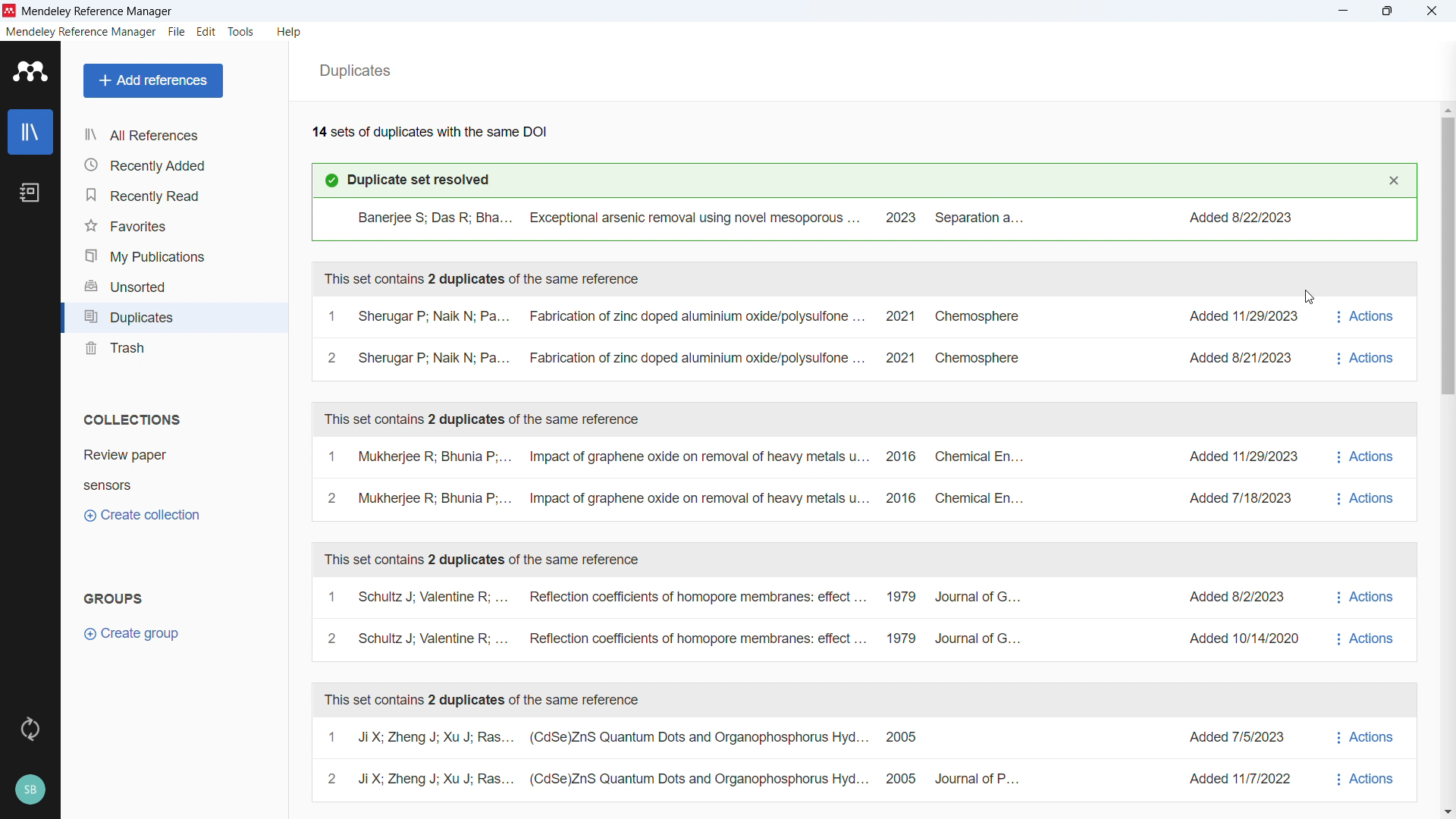 The width and height of the screenshot is (1456, 819). I want to click on All references , so click(174, 136).